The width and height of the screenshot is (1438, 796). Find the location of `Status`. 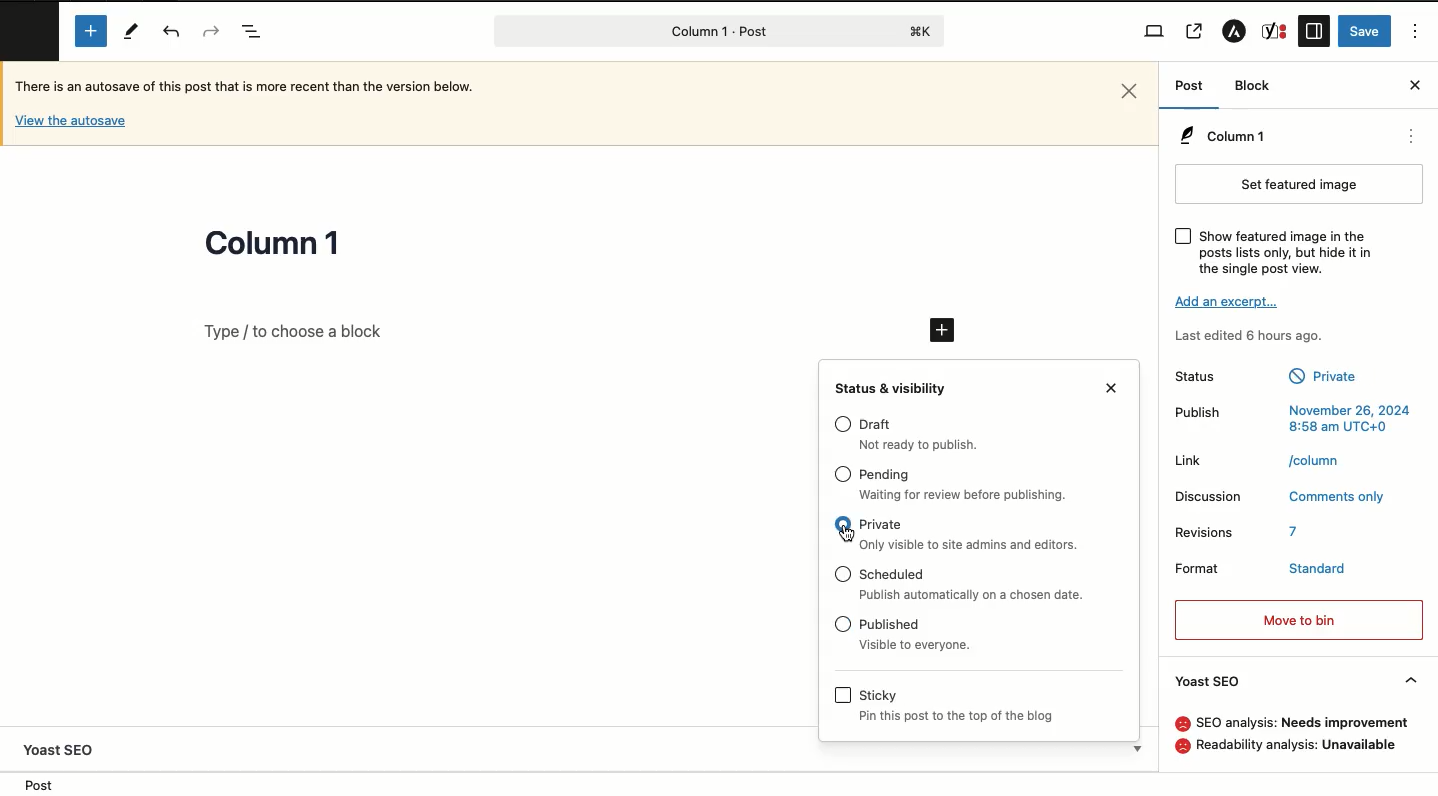

Status is located at coordinates (1212, 377).